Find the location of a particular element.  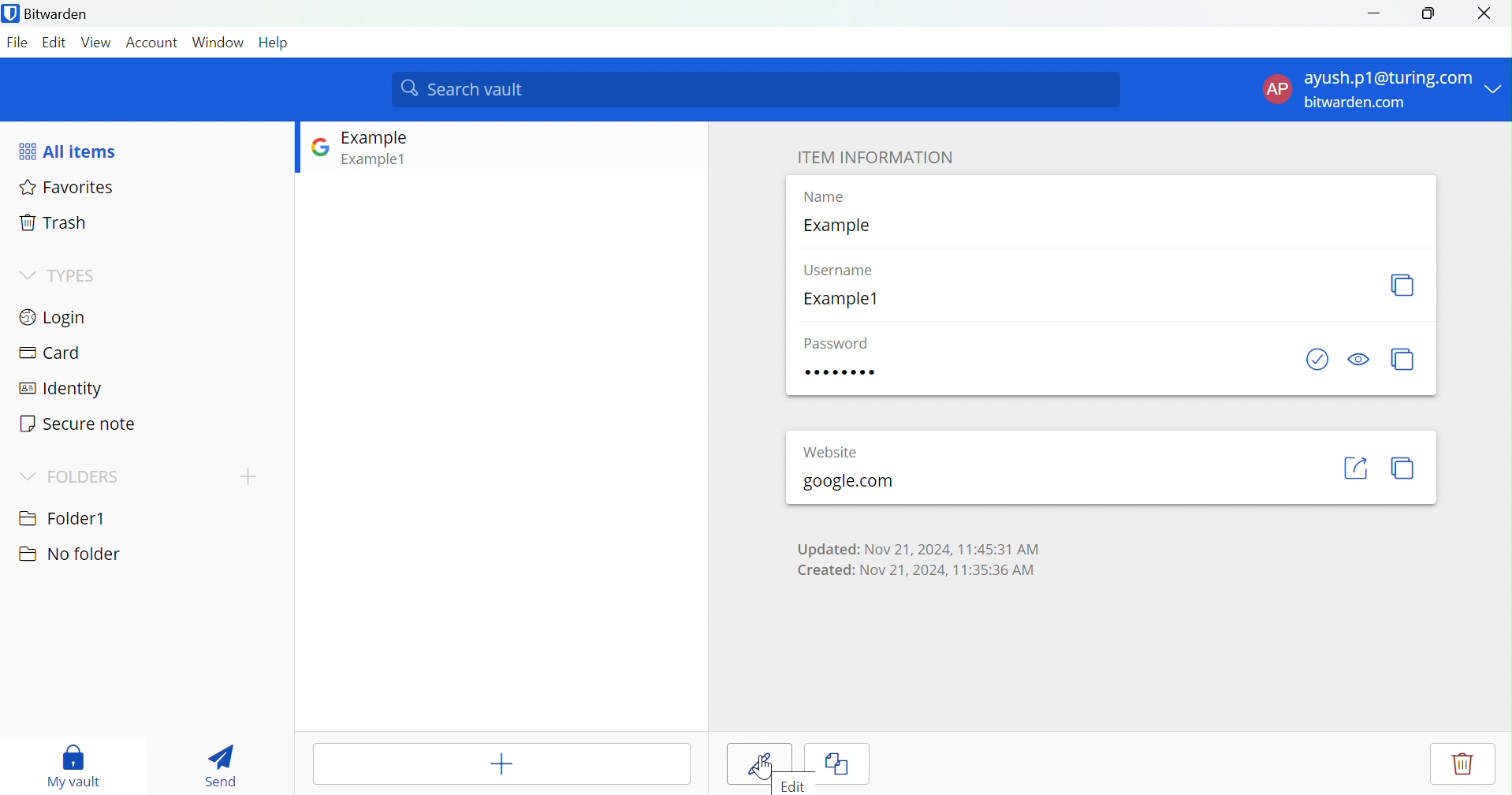

google.com is located at coordinates (847, 482).